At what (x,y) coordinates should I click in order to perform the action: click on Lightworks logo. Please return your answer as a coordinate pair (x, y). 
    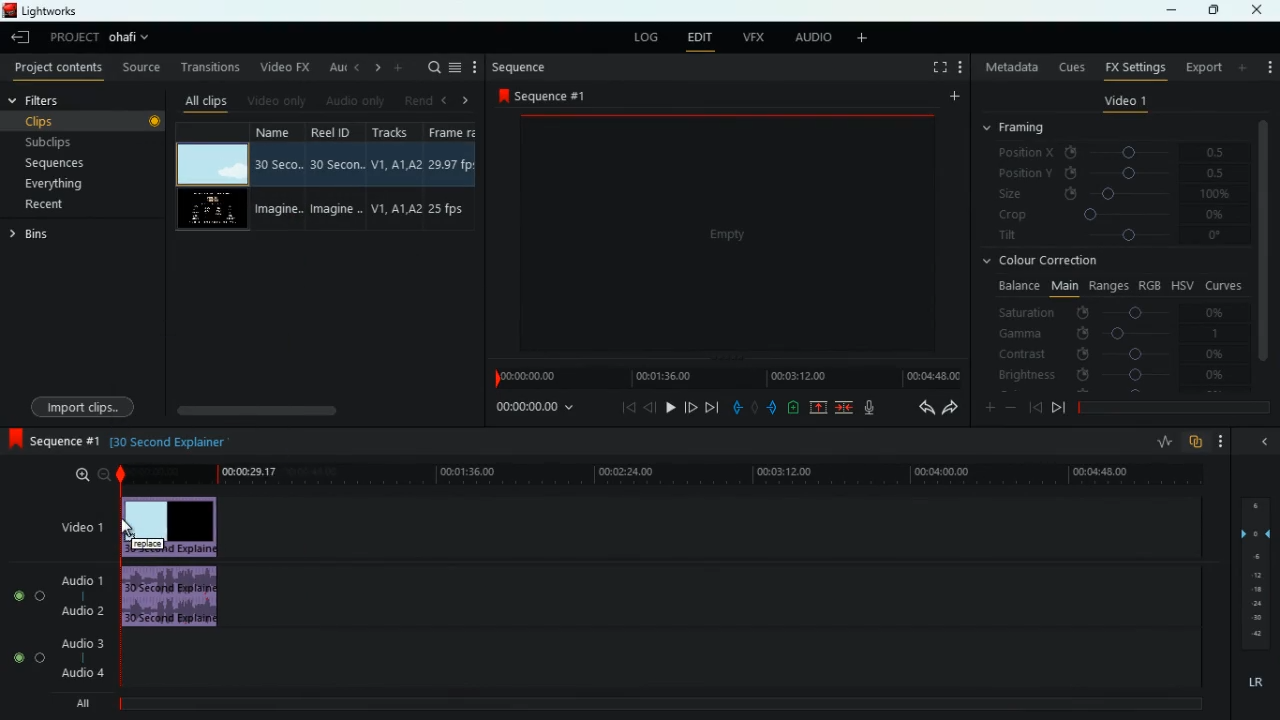
    Looking at the image, I should click on (10, 10).